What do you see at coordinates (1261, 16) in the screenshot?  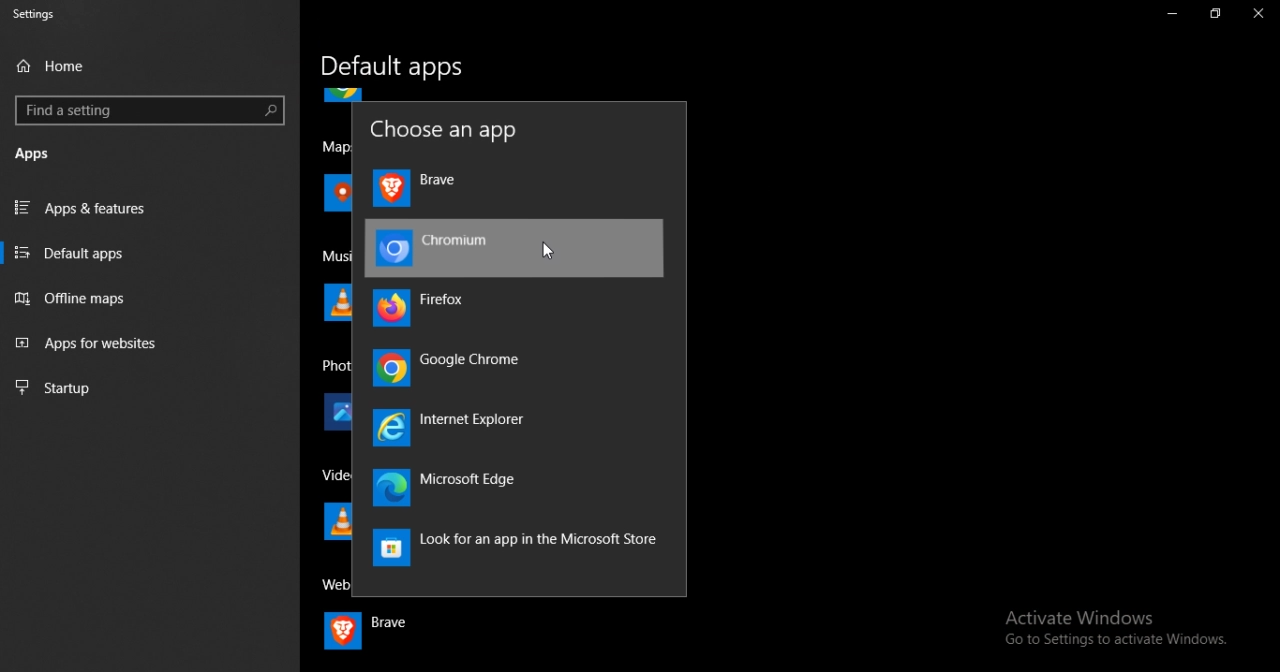 I see `close tab` at bounding box center [1261, 16].